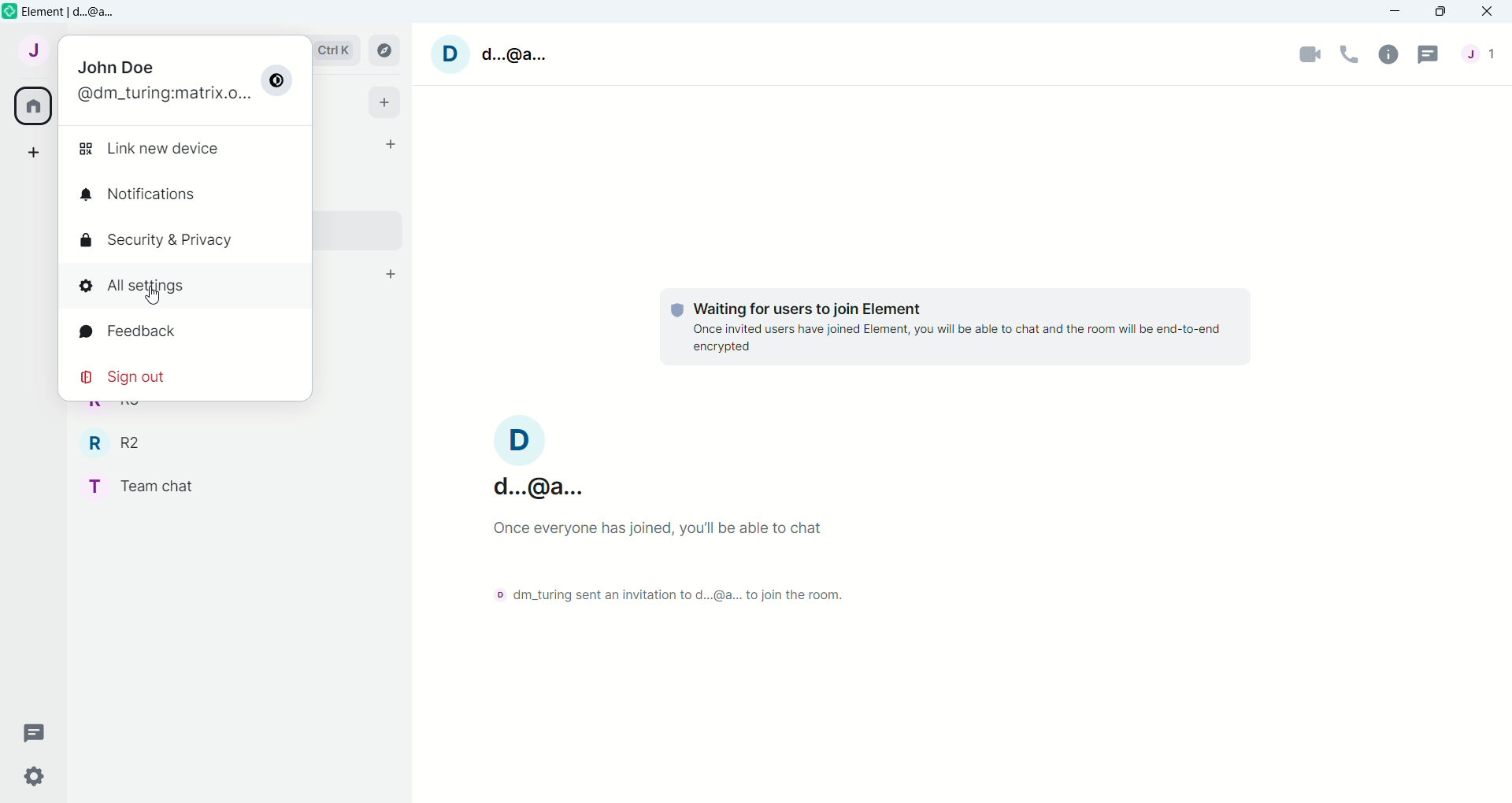 The height and width of the screenshot is (803, 1512). Describe the element at coordinates (1398, 12) in the screenshot. I see `minimize` at that location.